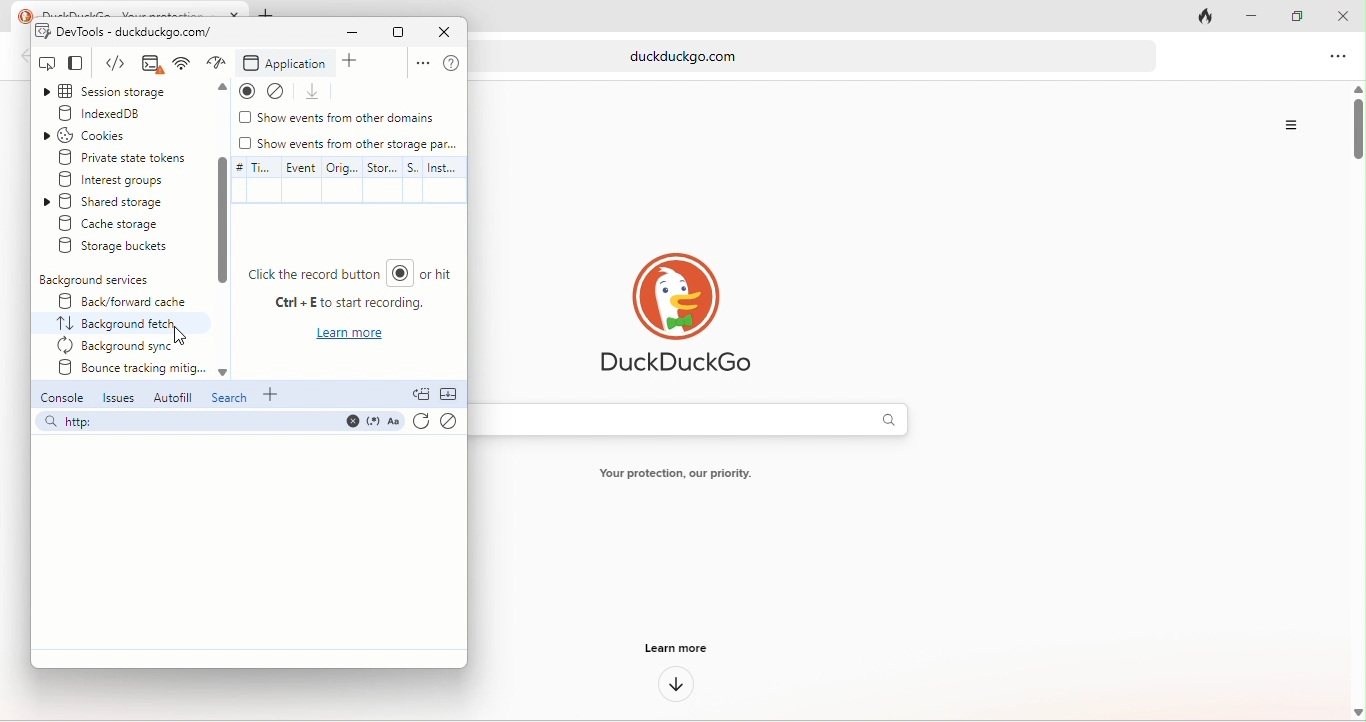 The height and width of the screenshot is (722, 1366). Describe the element at coordinates (105, 135) in the screenshot. I see `cookies` at that location.